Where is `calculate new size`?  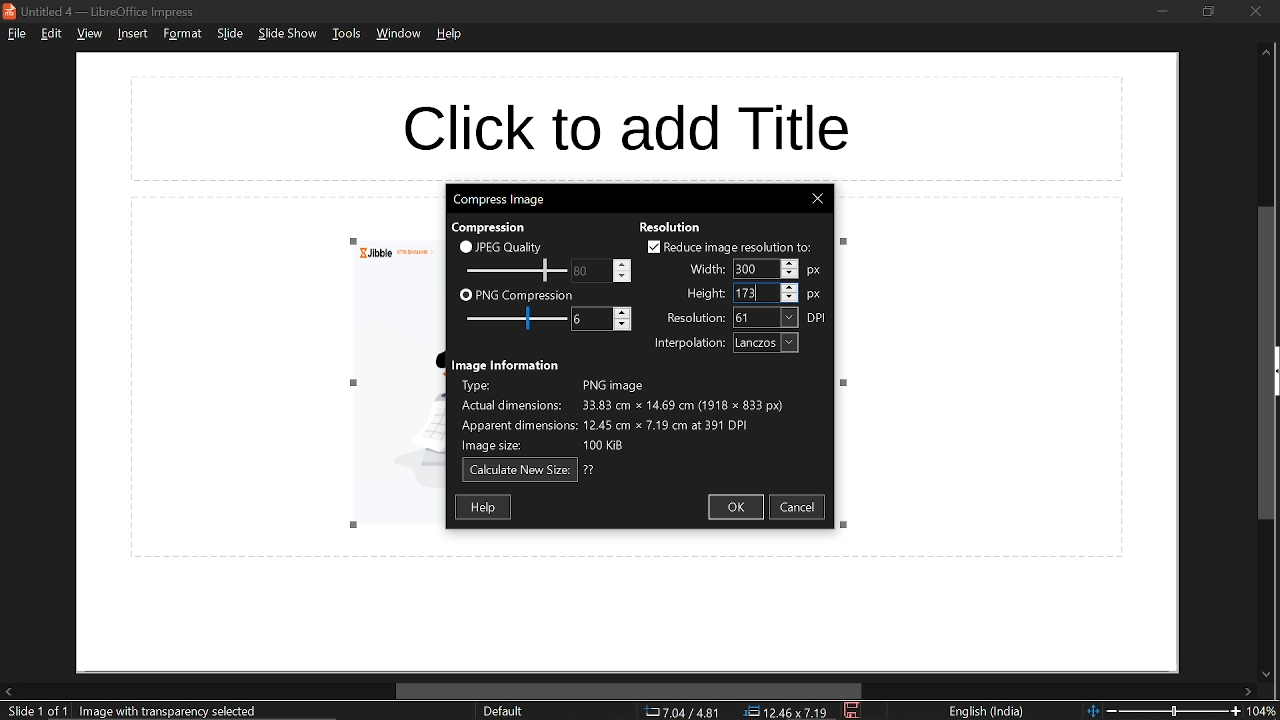 calculate new size is located at coordinates (519, 470).